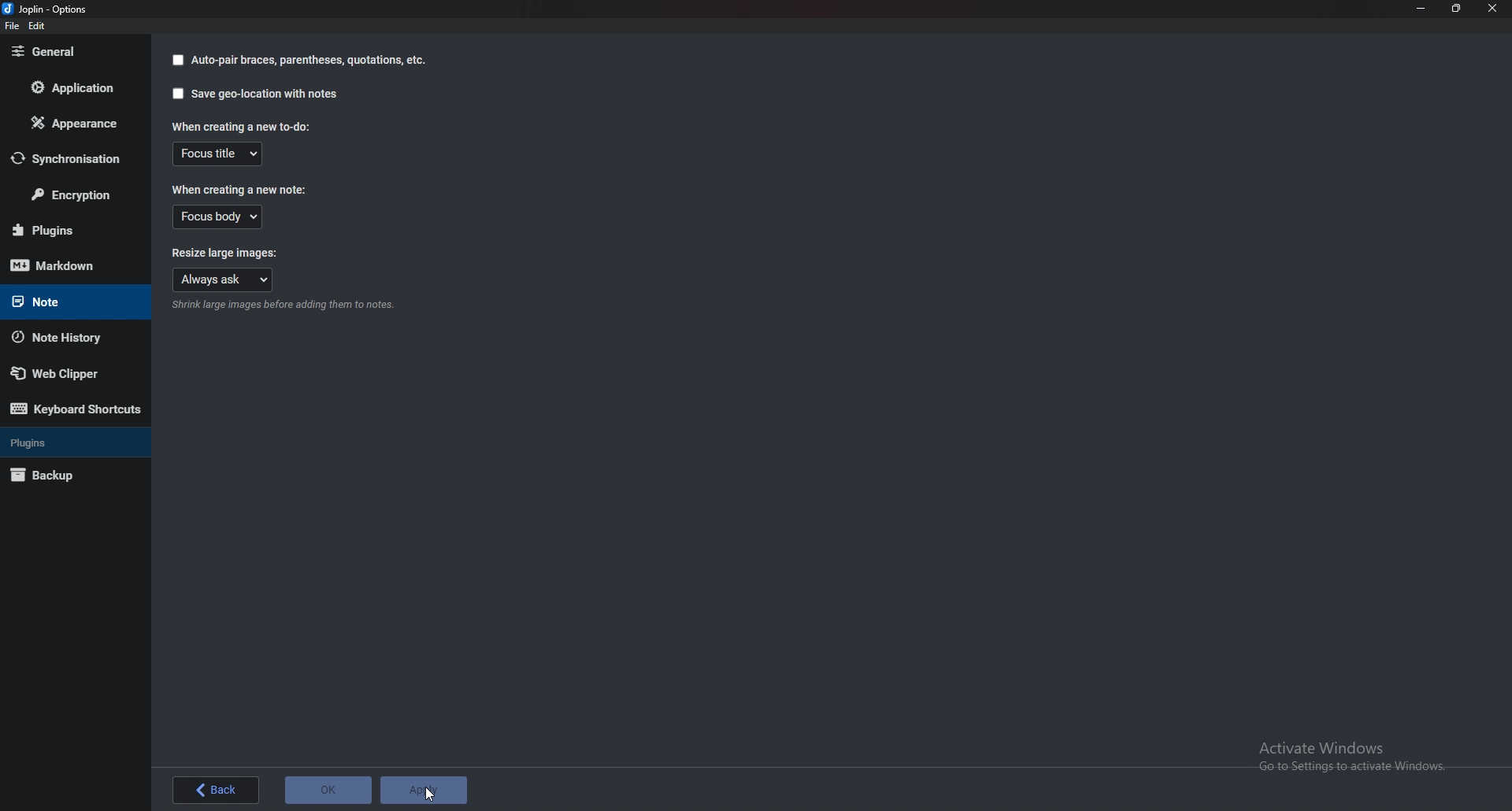 The height and width of the screenshot is (811, 1512). What do you see at coordinates (240, 126) in the screenshot?
I see `When creating a new to do` at bounding box center [240, 126].